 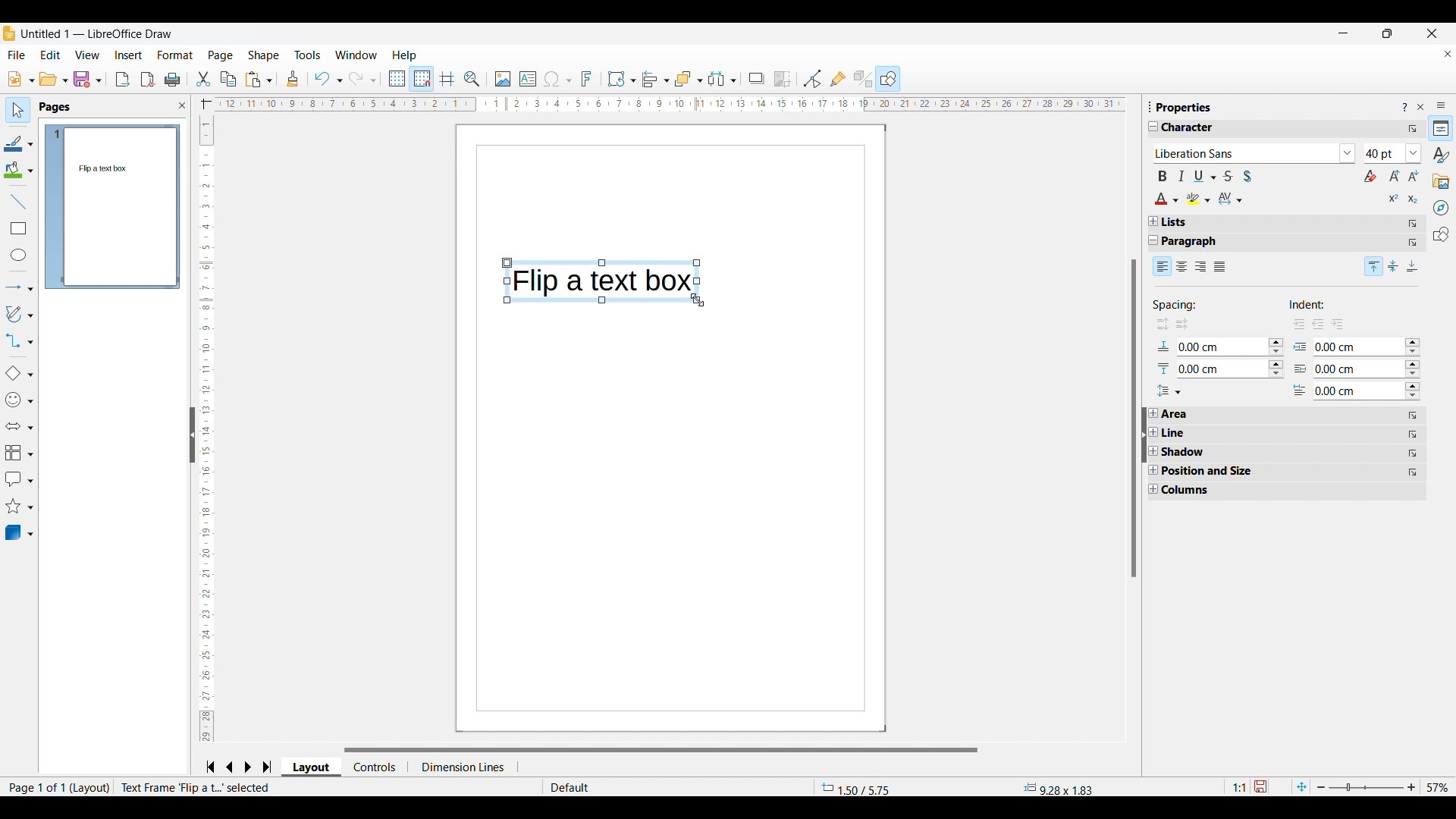 What do you see at coordinates (19, 340) in the screenshot?
I see `Connector options` at bounding box center [19, 340].